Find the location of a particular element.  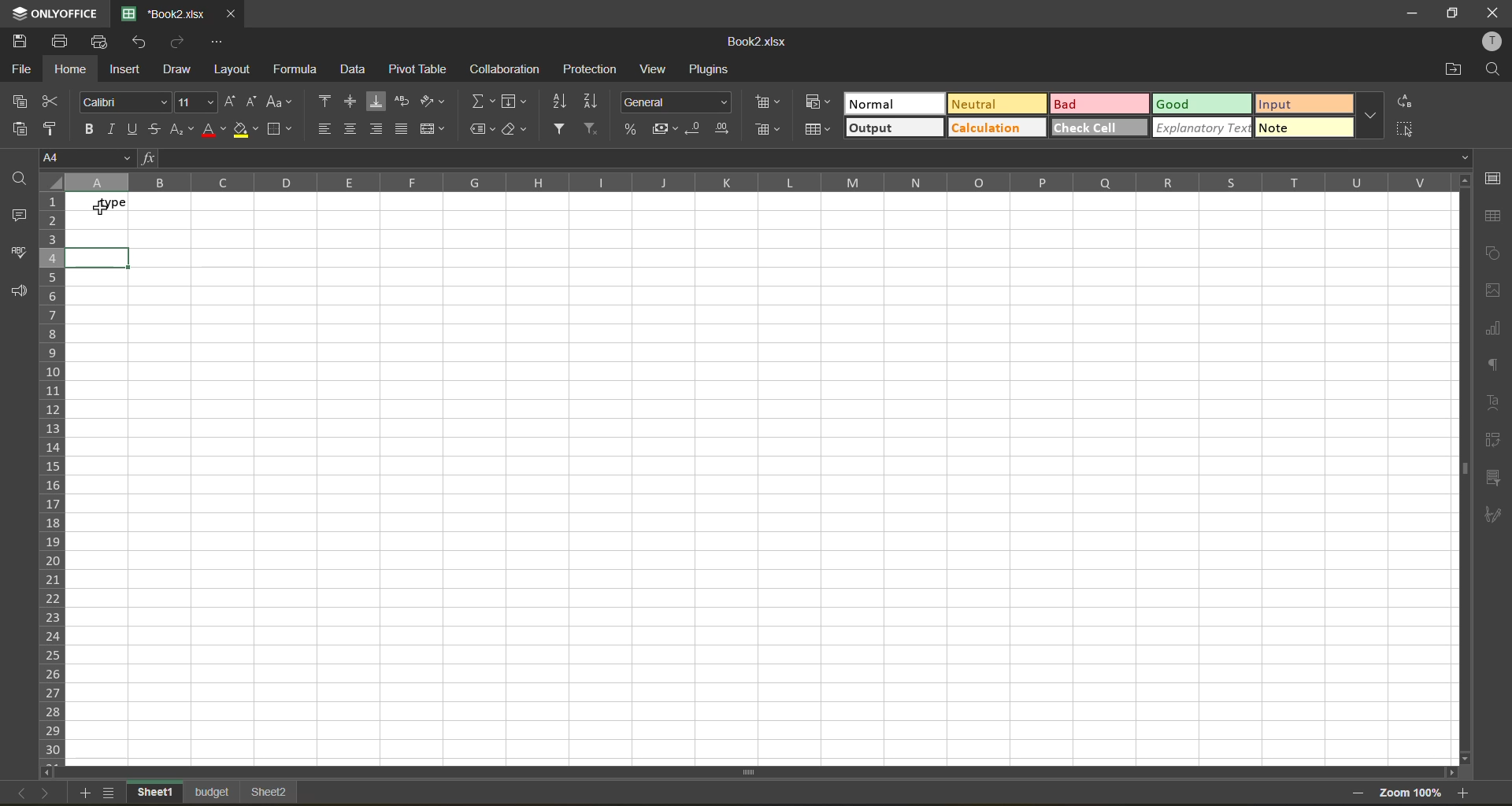

close tab is located at coordinates (232, 12).